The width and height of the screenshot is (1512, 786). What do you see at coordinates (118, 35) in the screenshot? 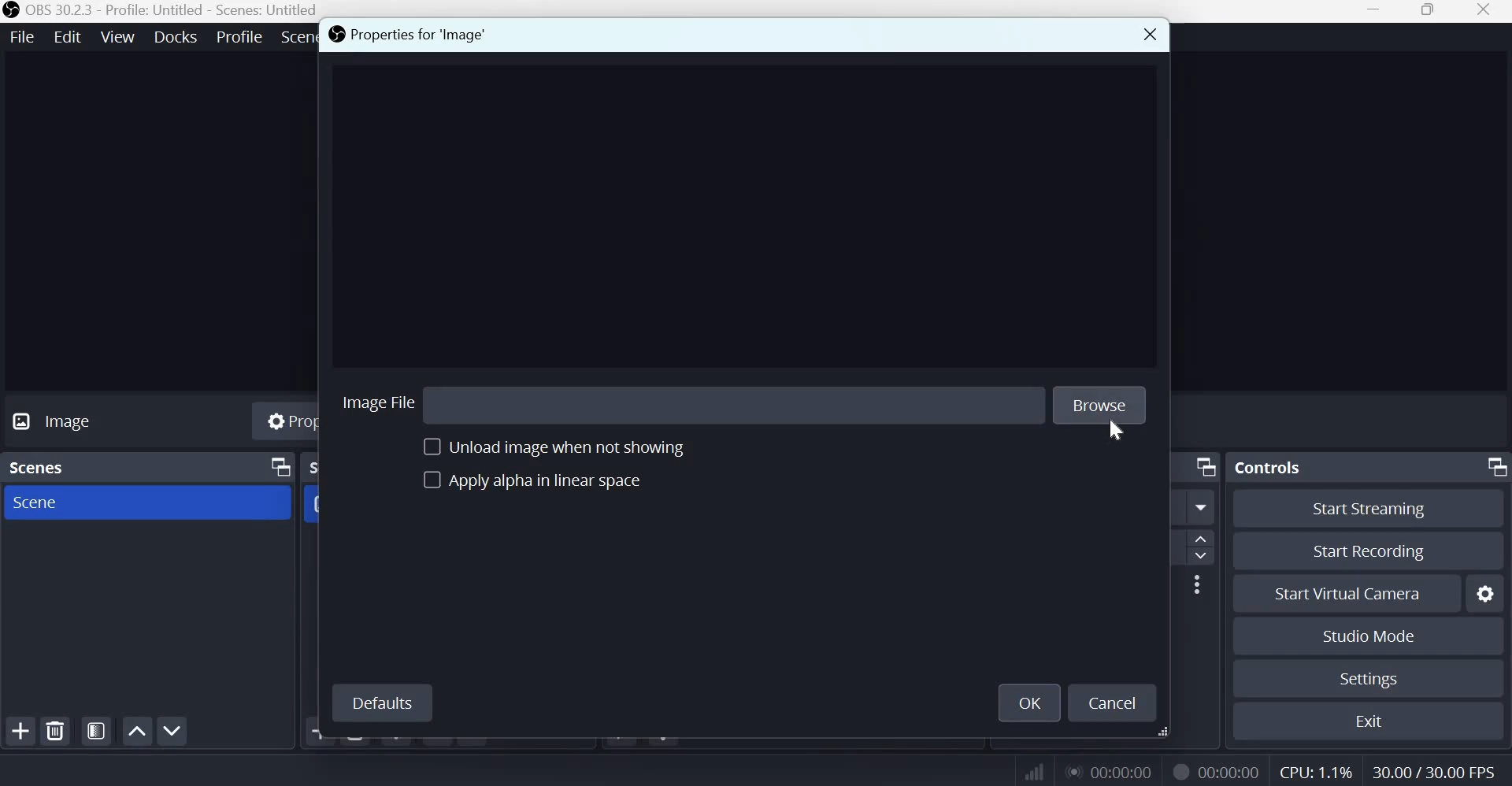
I see `view` at bounding box center [118, 35].